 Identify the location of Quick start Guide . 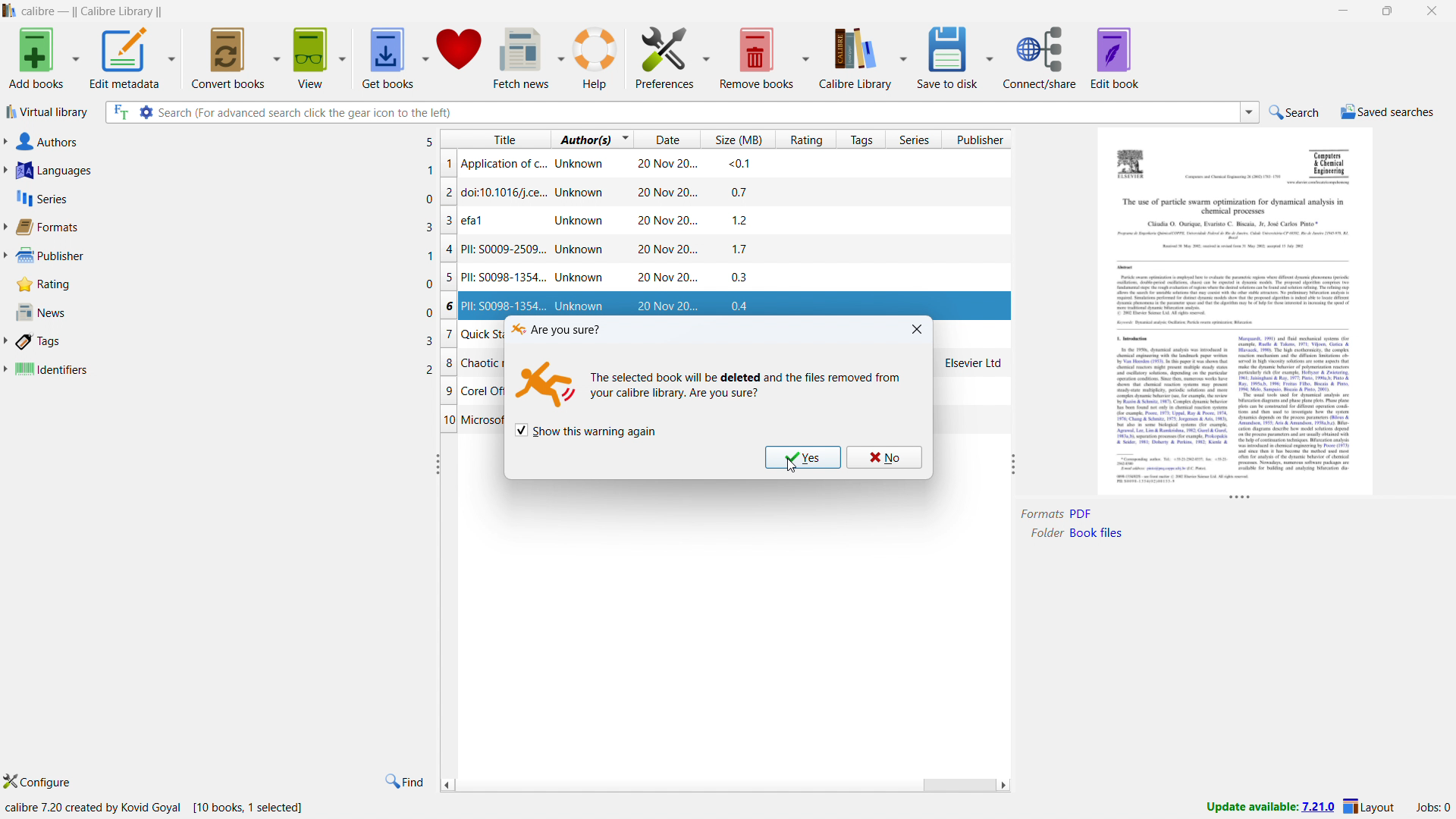
(471, 334).